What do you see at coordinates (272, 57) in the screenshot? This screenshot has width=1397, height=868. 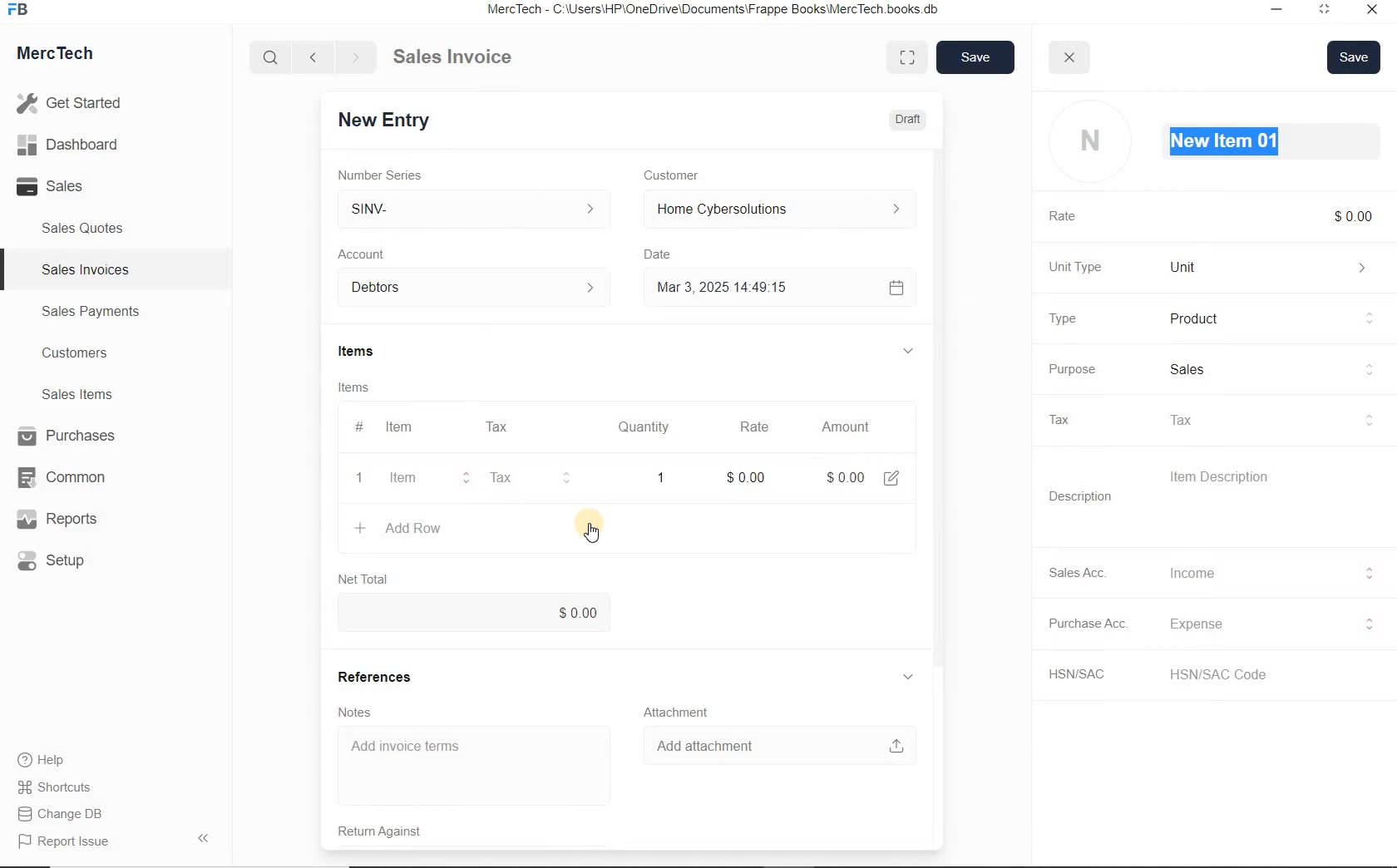 I see `Search` at bounding box center [272, 57].